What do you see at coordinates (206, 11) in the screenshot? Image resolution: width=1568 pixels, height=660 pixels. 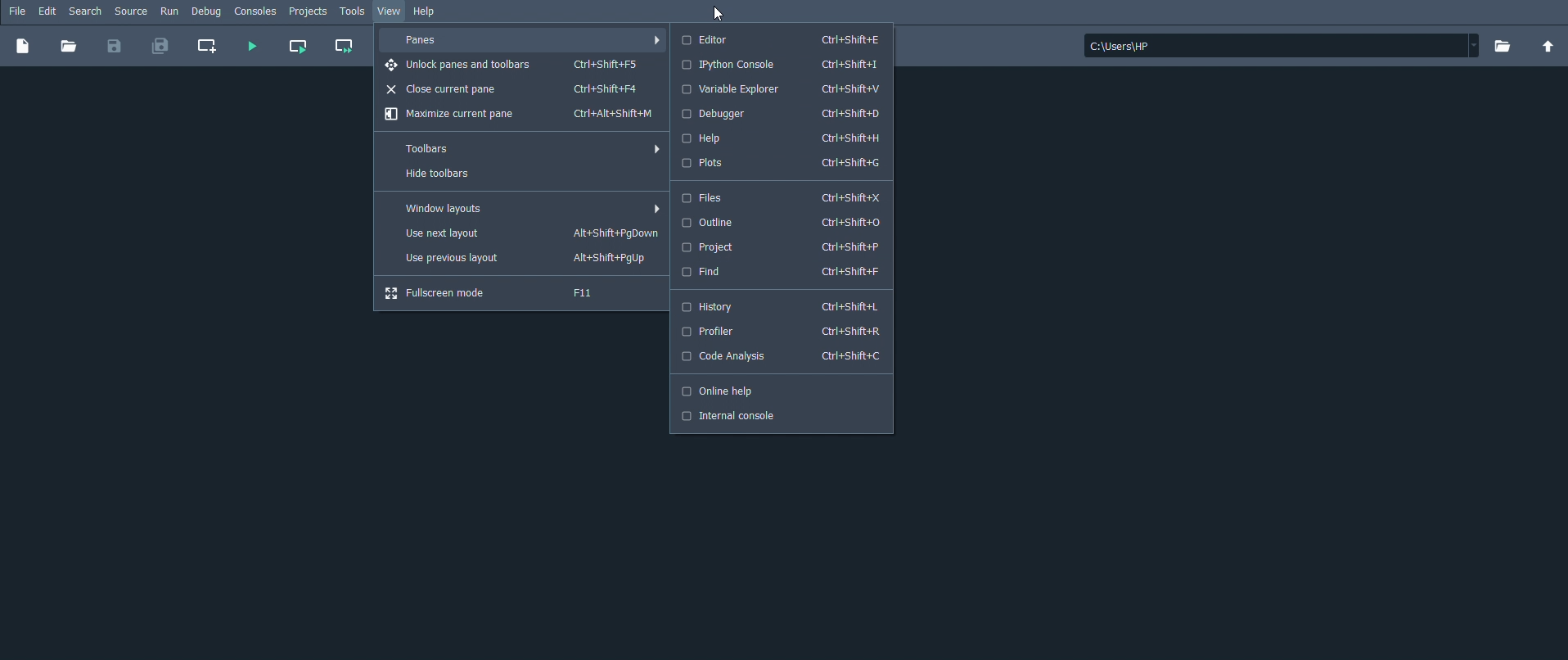 I see `Debug` at bounding box center [206, 11].